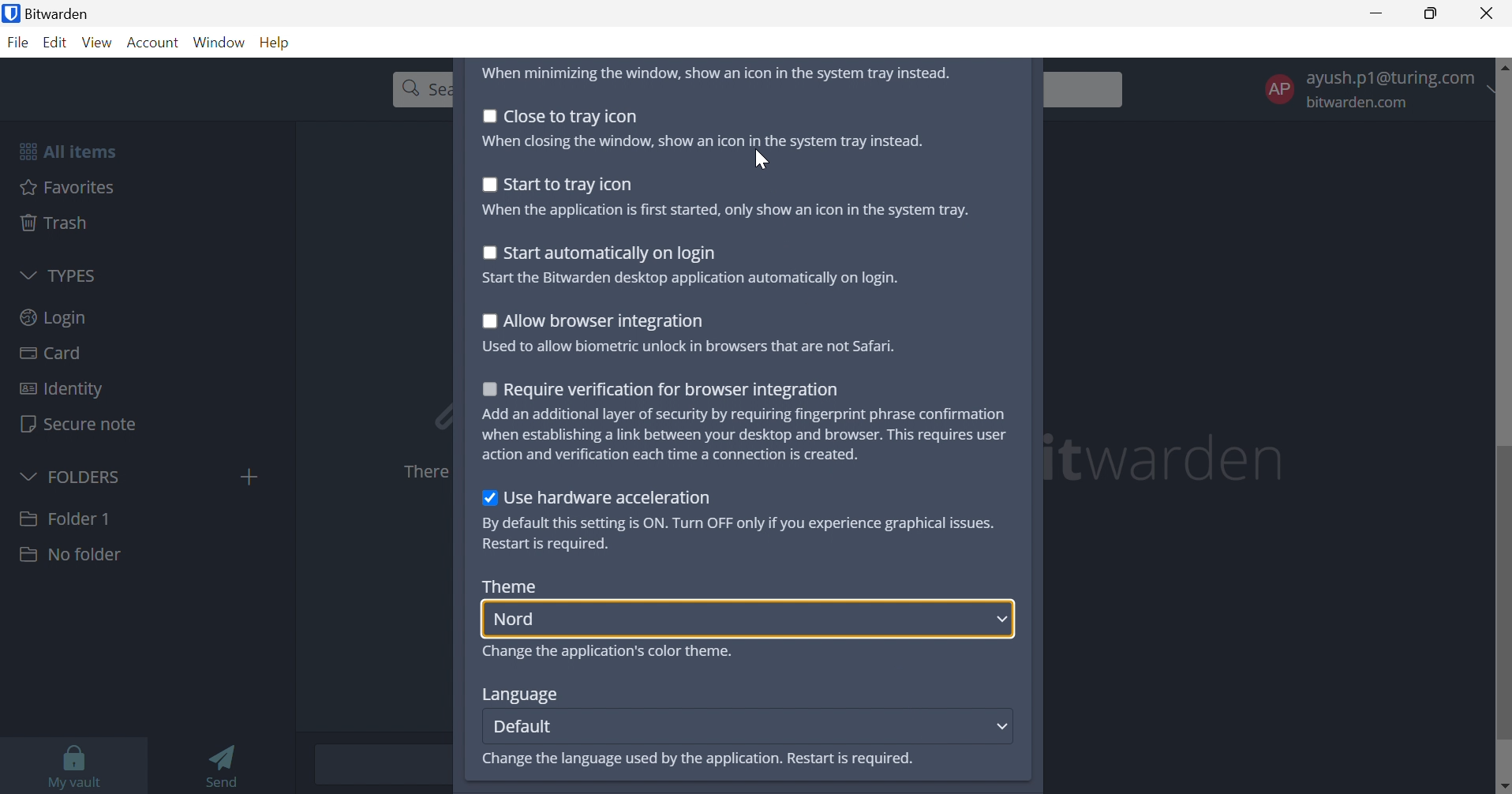 This screenshot has height=794, width=1512. Describe the element at coordinates (278, 41) in the screenshot. I see `Help` at that location.